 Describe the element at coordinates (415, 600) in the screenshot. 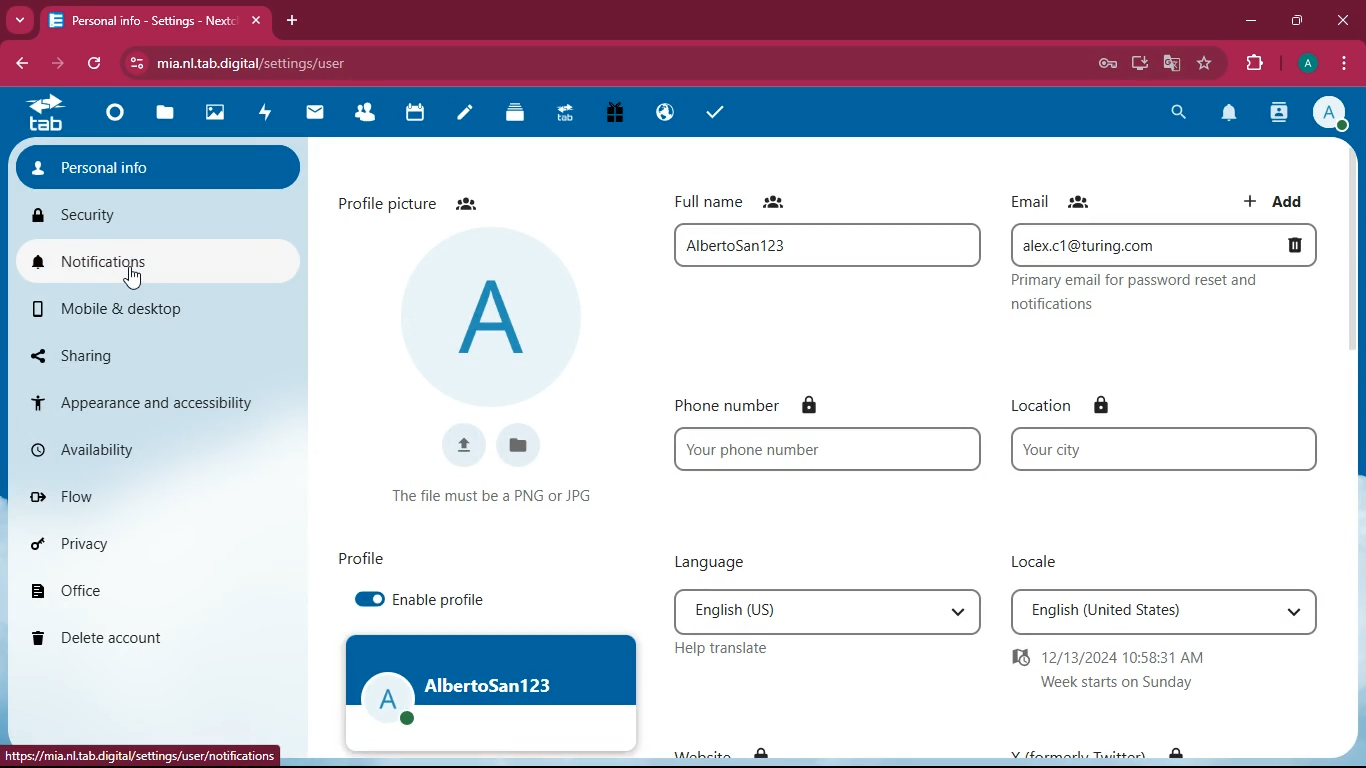

I see `enable profile` at that location.